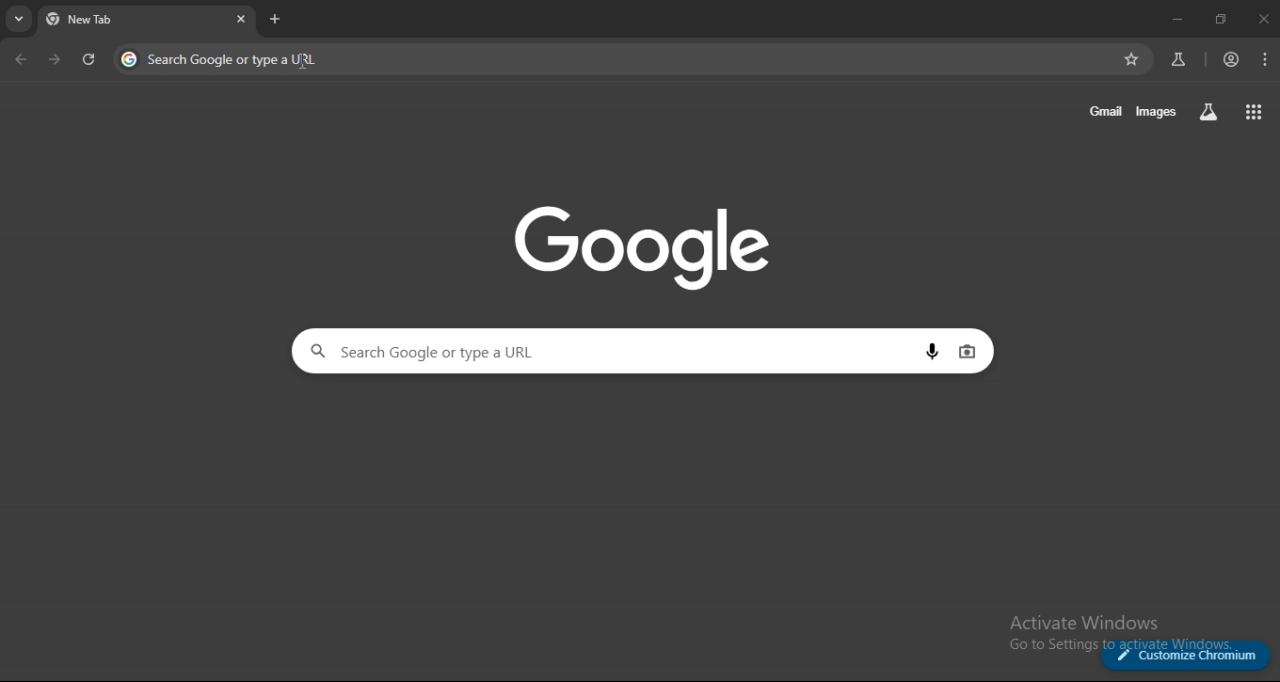 Image resolution: width=1280 pixels, height=682 pixels. Describe the element at coordinates (21, 60) in the screenshot. I see `go back one page` at that location.